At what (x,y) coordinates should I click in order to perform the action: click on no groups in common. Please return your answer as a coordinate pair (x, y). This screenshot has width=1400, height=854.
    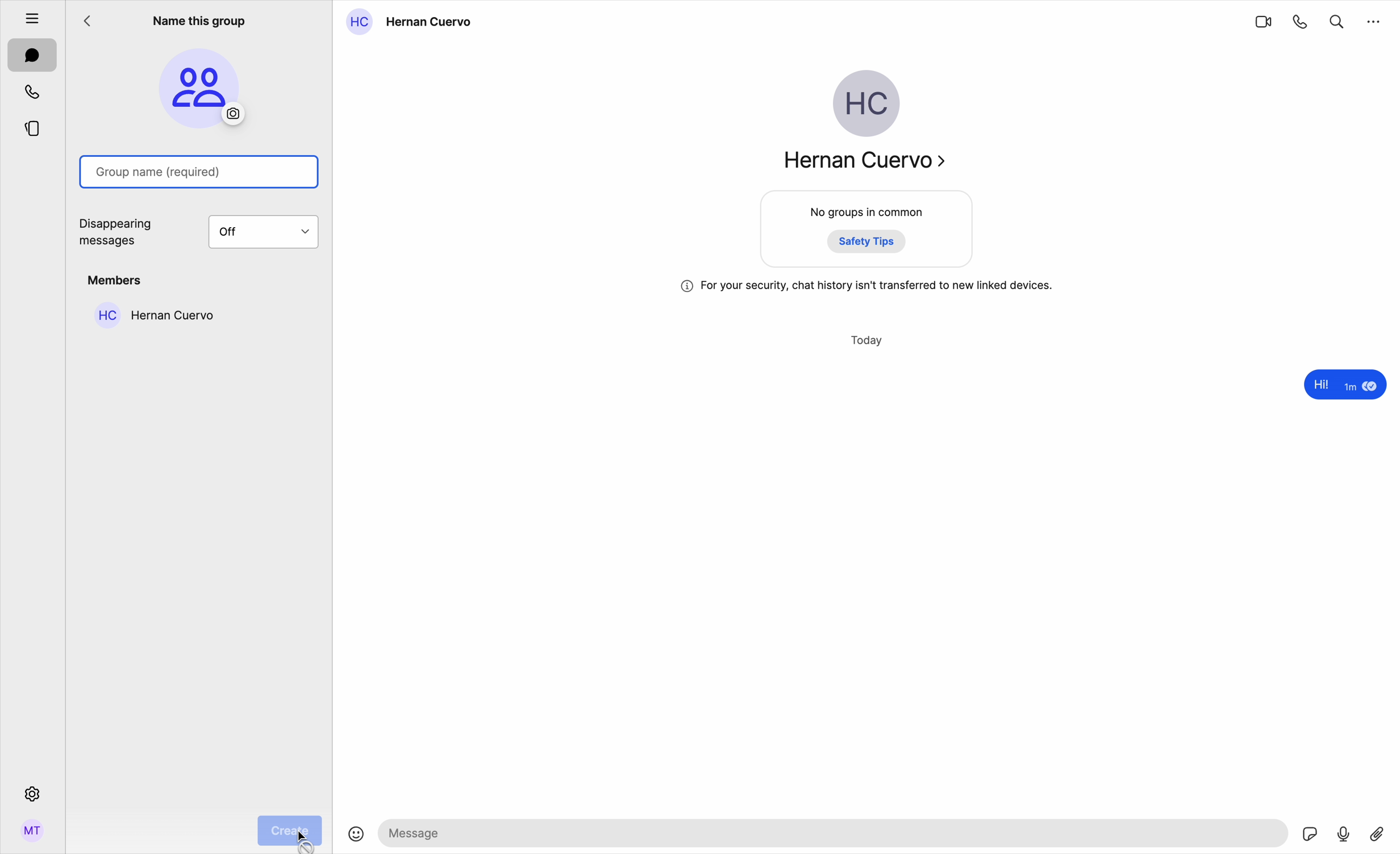
    Looking at the image, I should click on (868, 231).